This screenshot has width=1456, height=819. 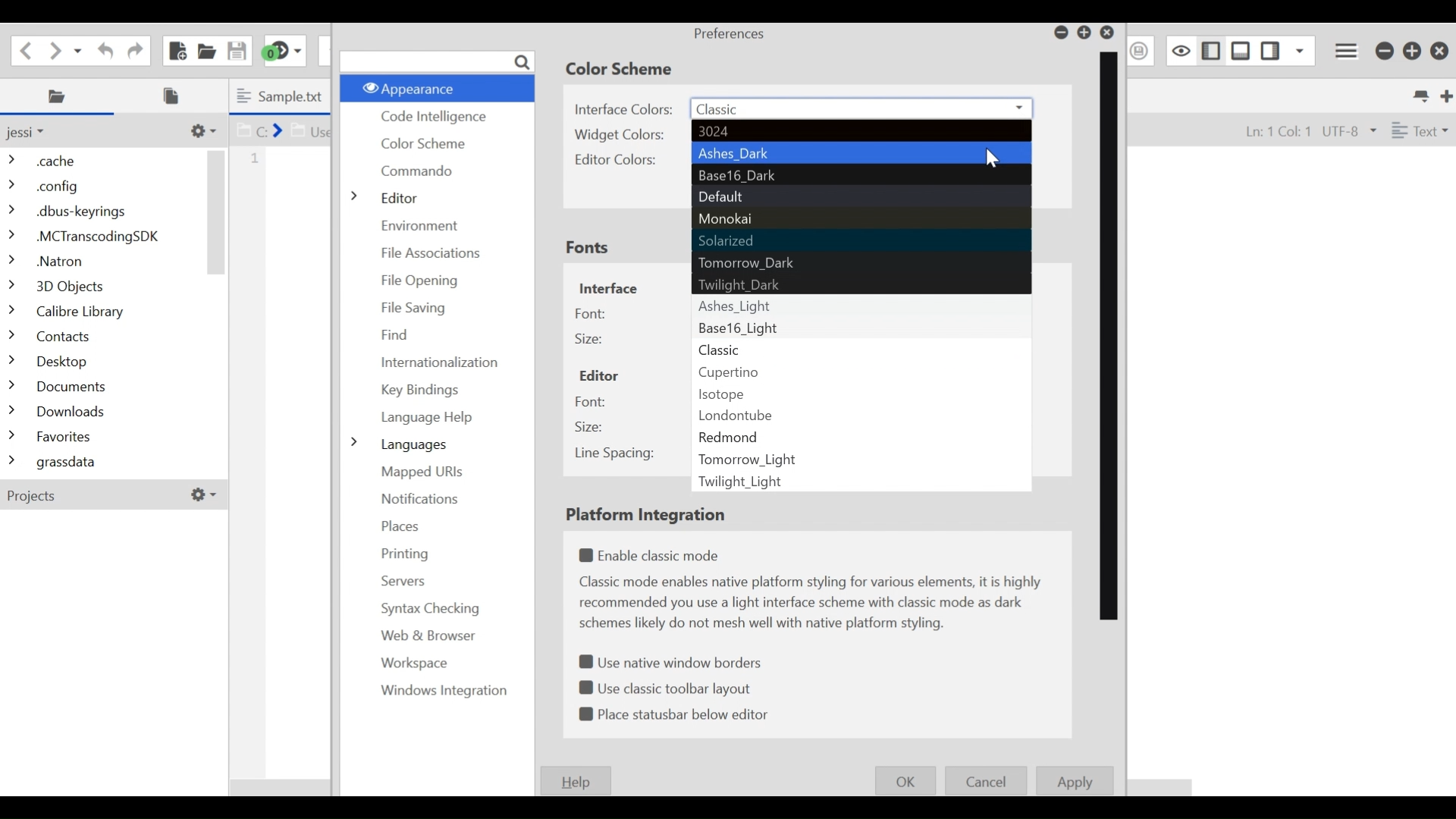 I want to click on Close, so click(x=1110, y=33).